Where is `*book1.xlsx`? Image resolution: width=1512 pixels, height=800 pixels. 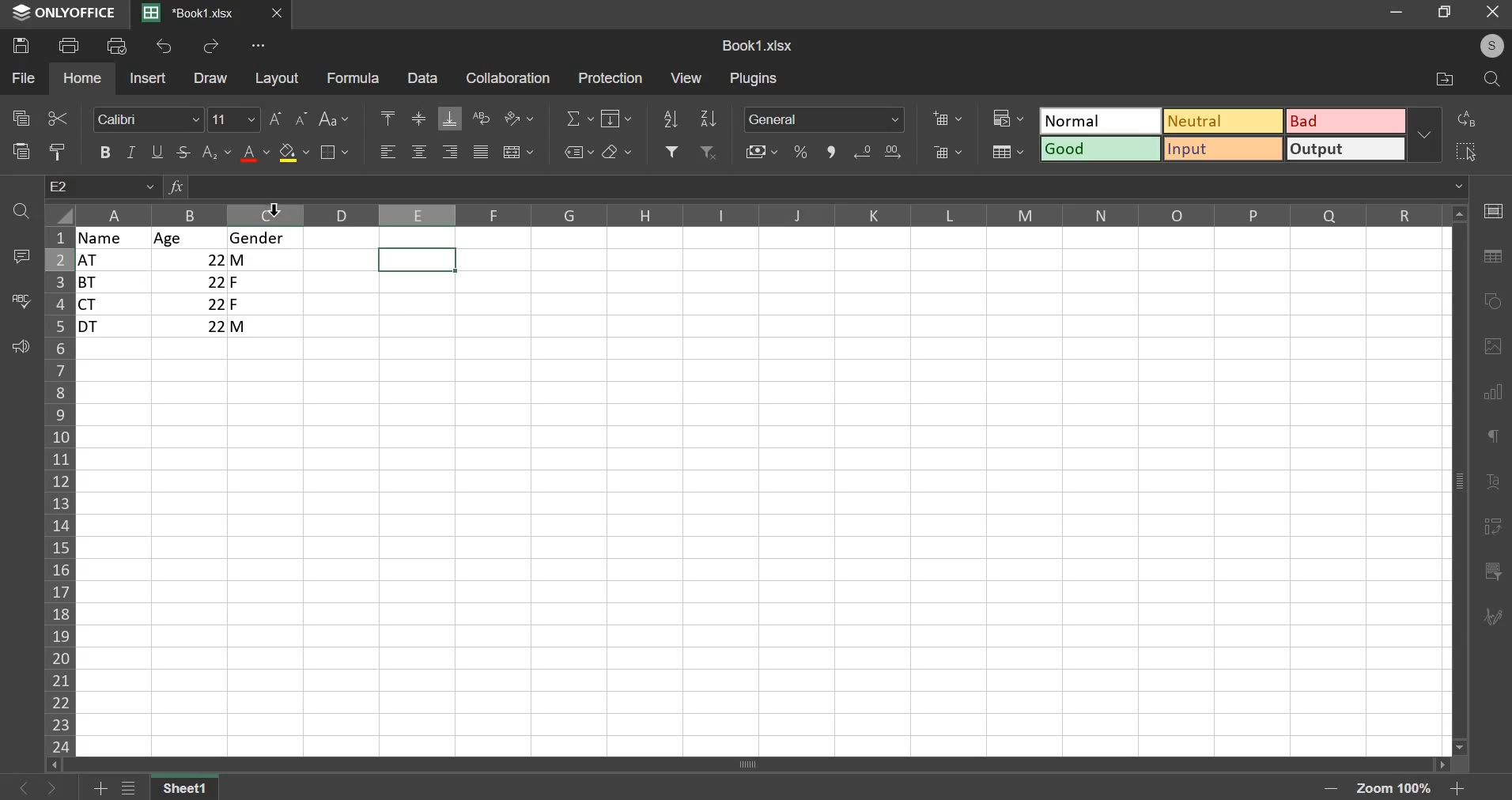
*book1.xlsx is located at coordinates (191, 13).